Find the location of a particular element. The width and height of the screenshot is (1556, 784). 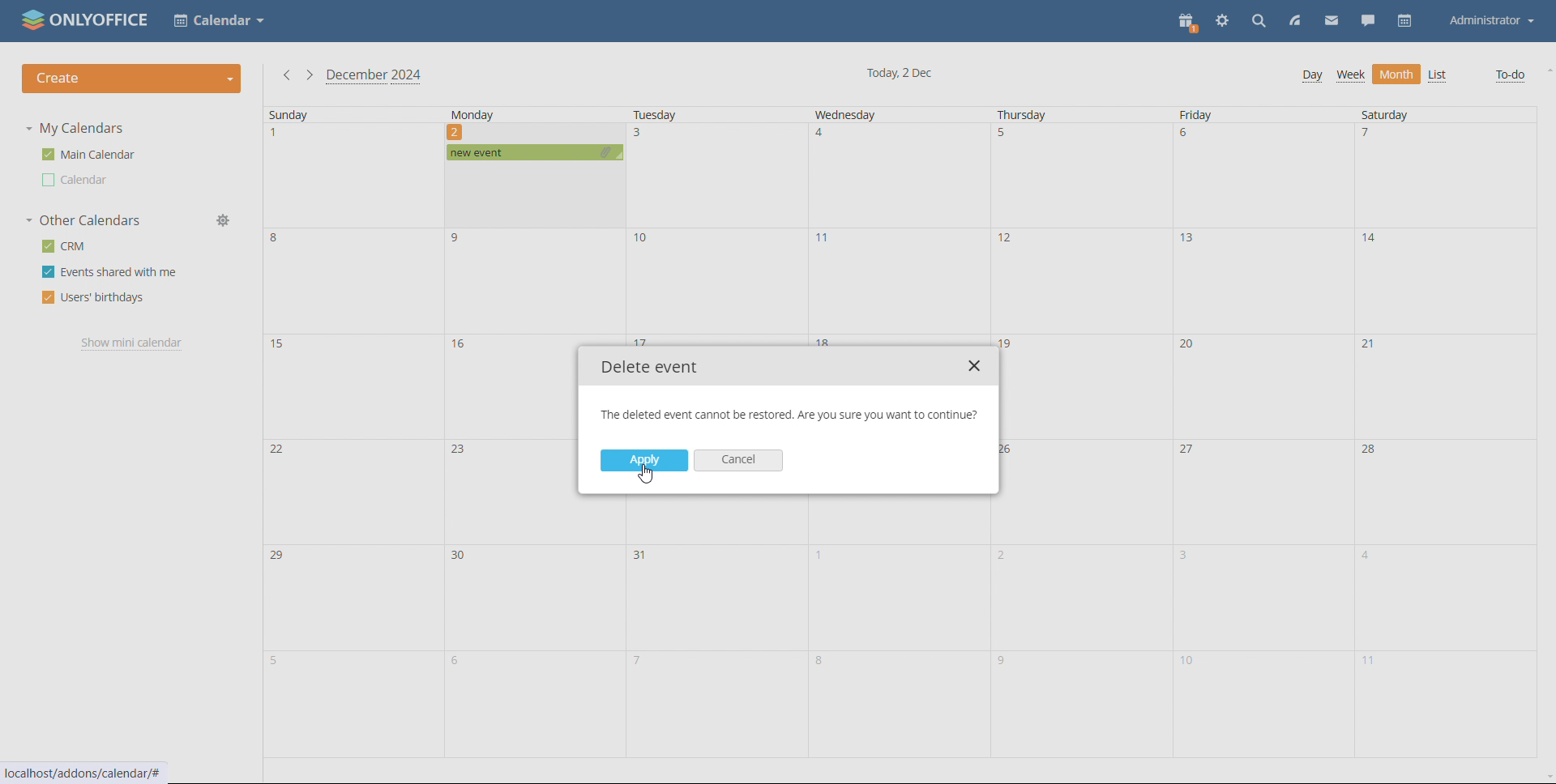

show mini calendar is located at coordinates (133, 343).